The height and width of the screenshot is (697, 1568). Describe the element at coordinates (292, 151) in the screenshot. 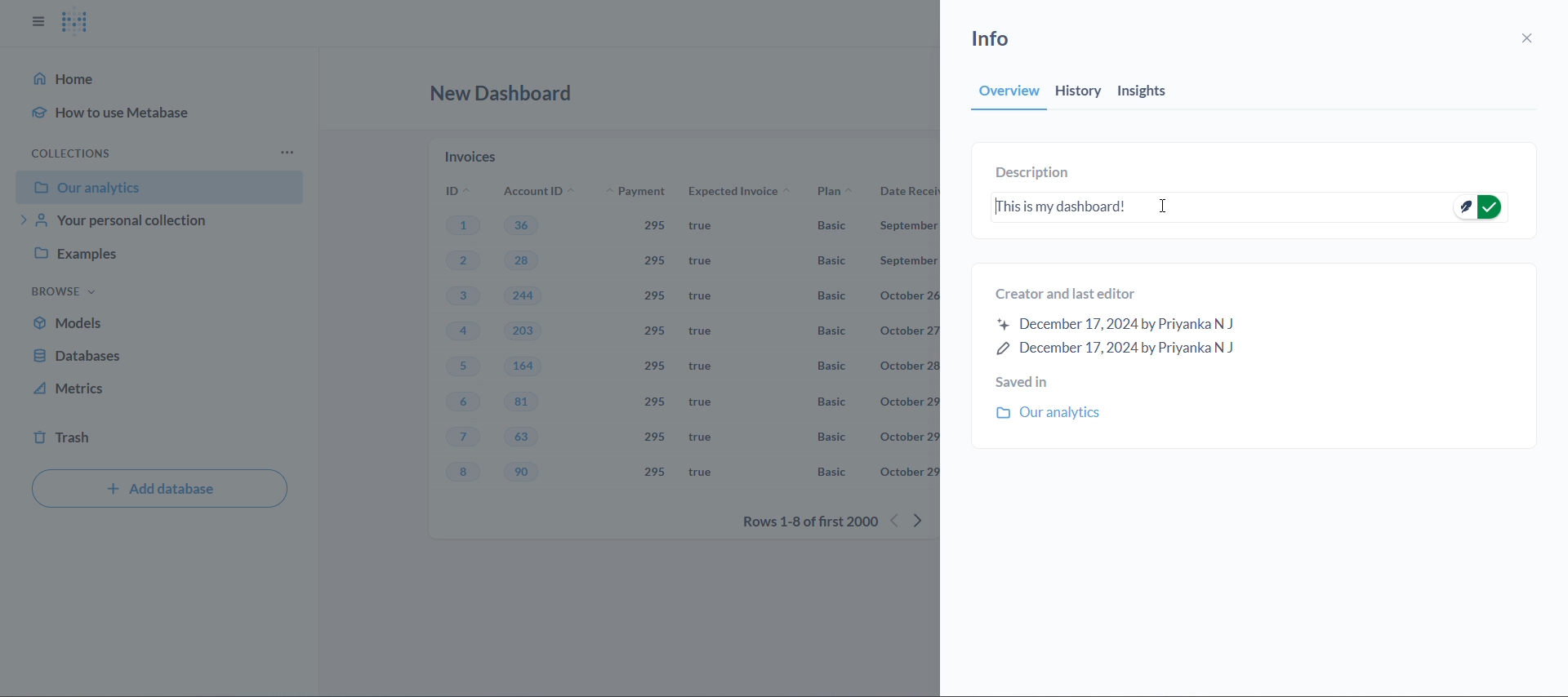

I see `more ` at that location.